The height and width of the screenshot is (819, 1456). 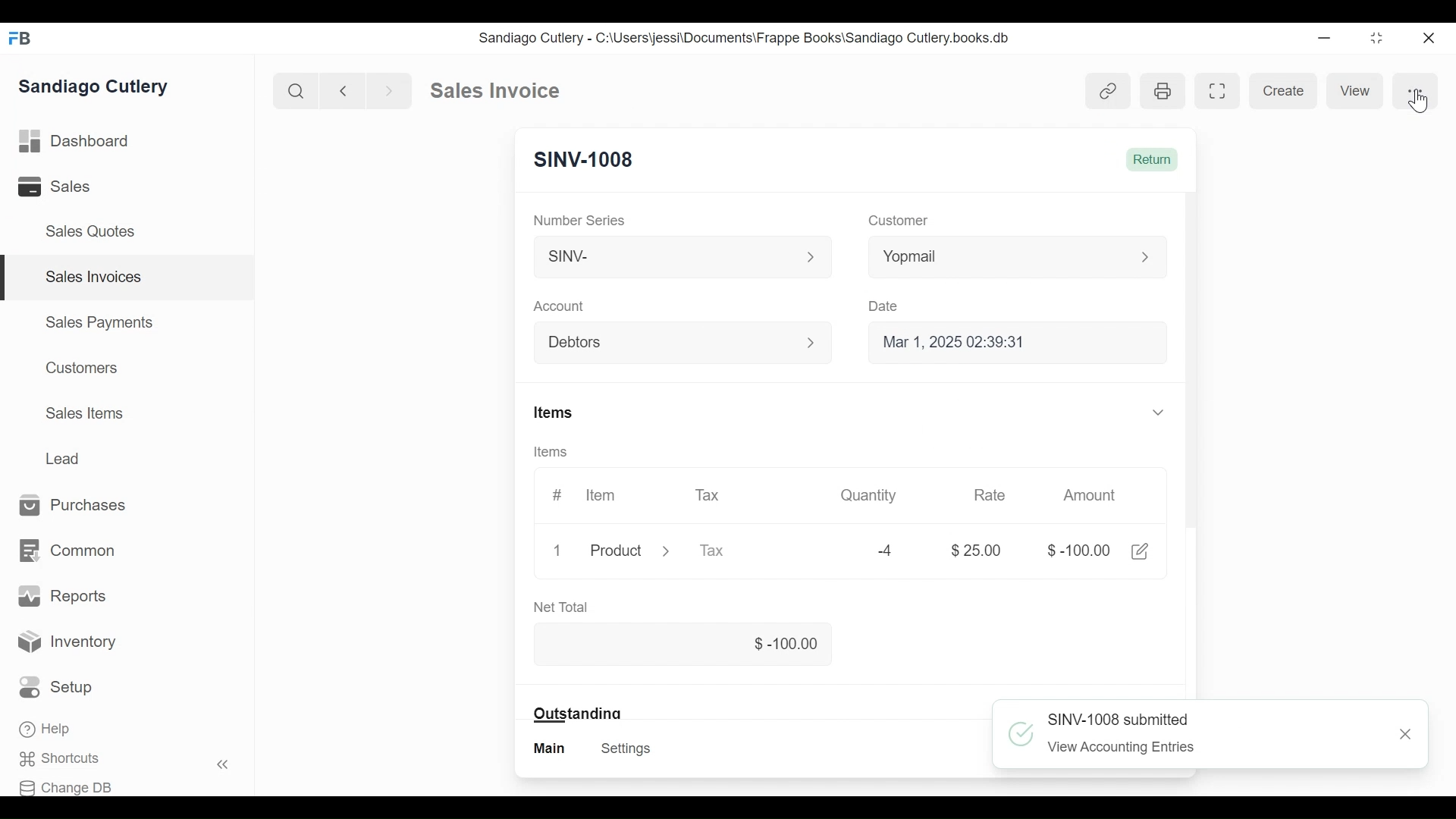 I want to click on Debtors, so click(x=673, y=341).